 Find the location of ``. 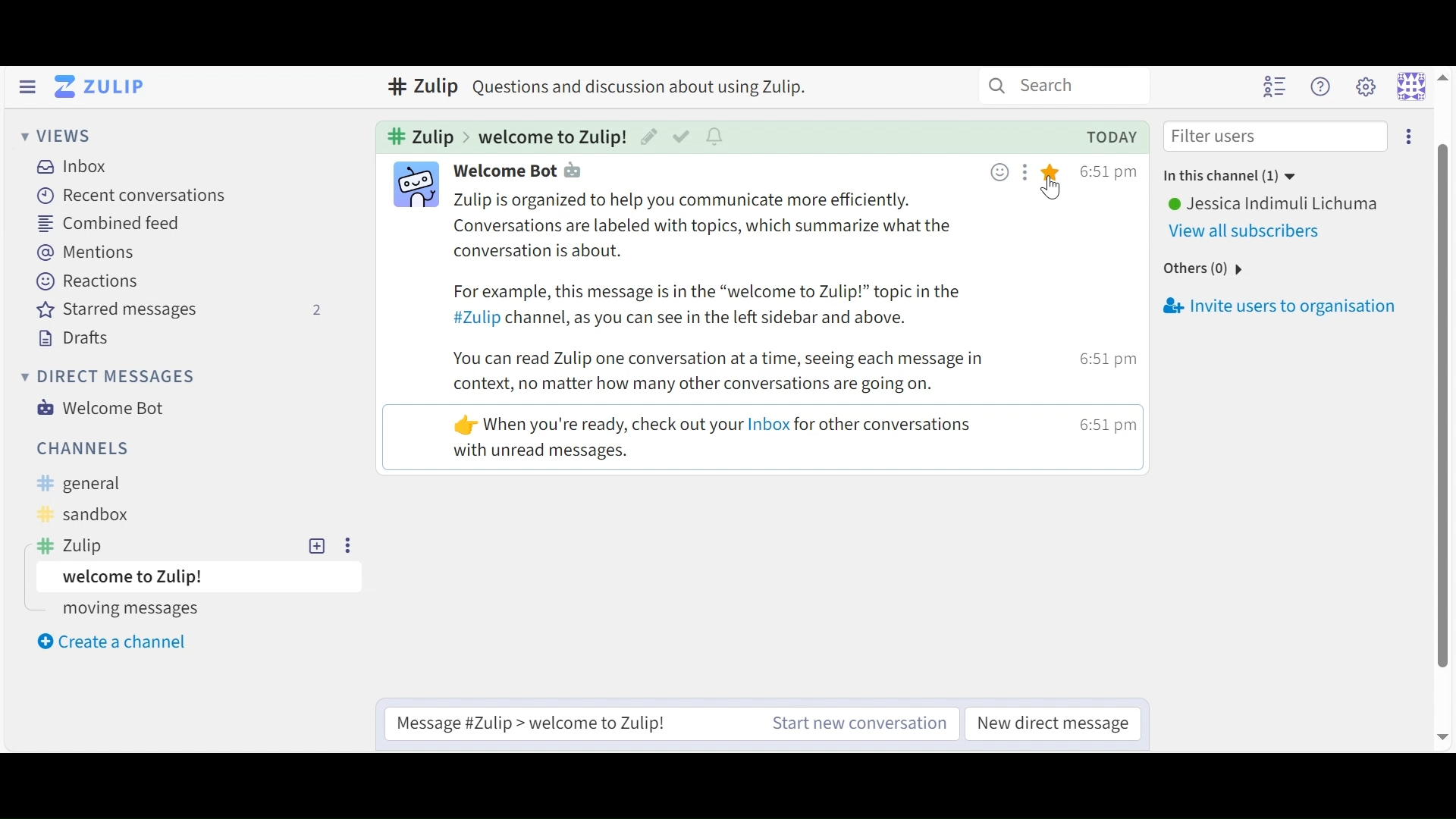

 is located at coordinates (795, 298).